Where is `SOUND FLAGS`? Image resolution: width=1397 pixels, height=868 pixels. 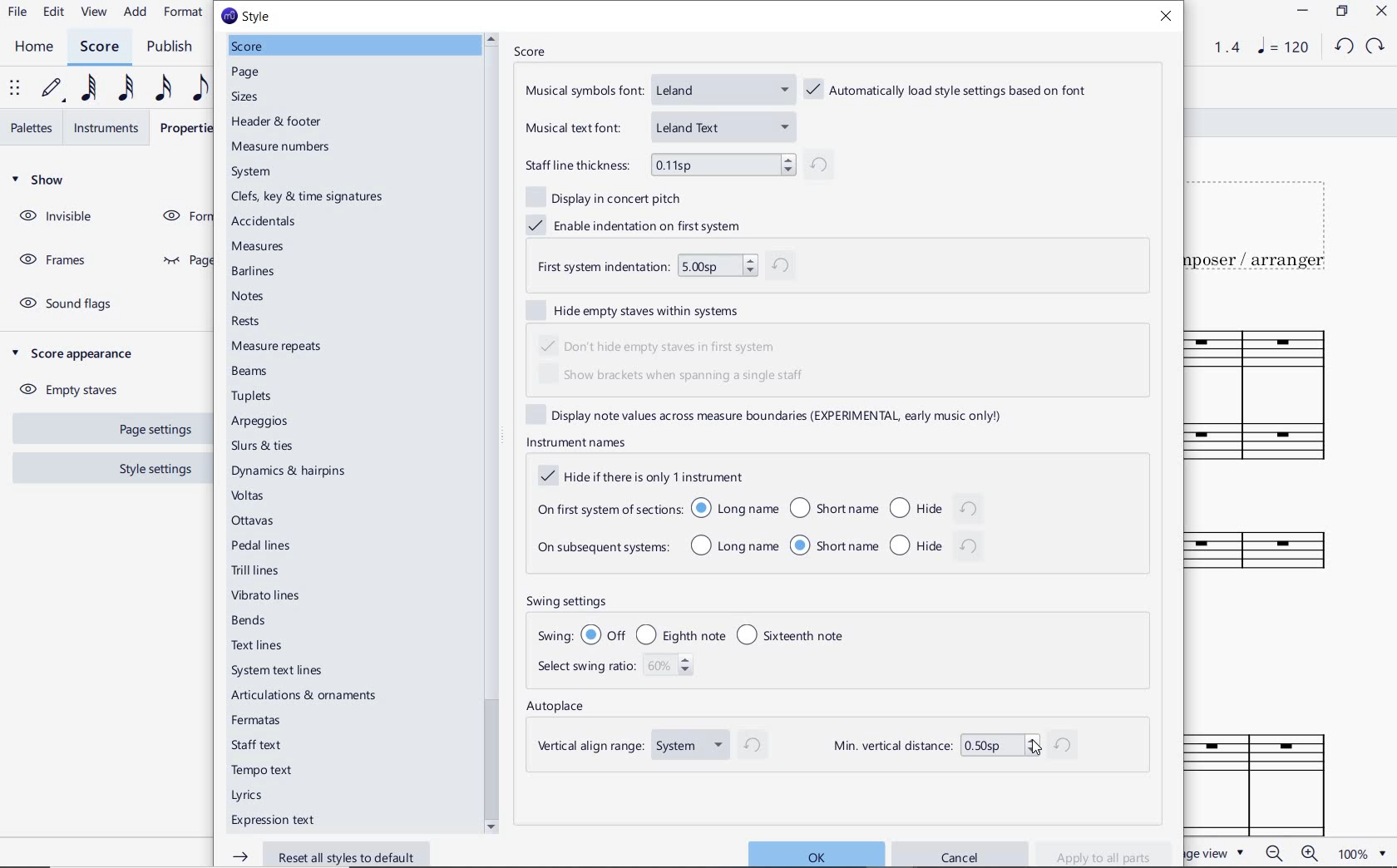 SOUND FLAGS is located at coordinates (70, 303).